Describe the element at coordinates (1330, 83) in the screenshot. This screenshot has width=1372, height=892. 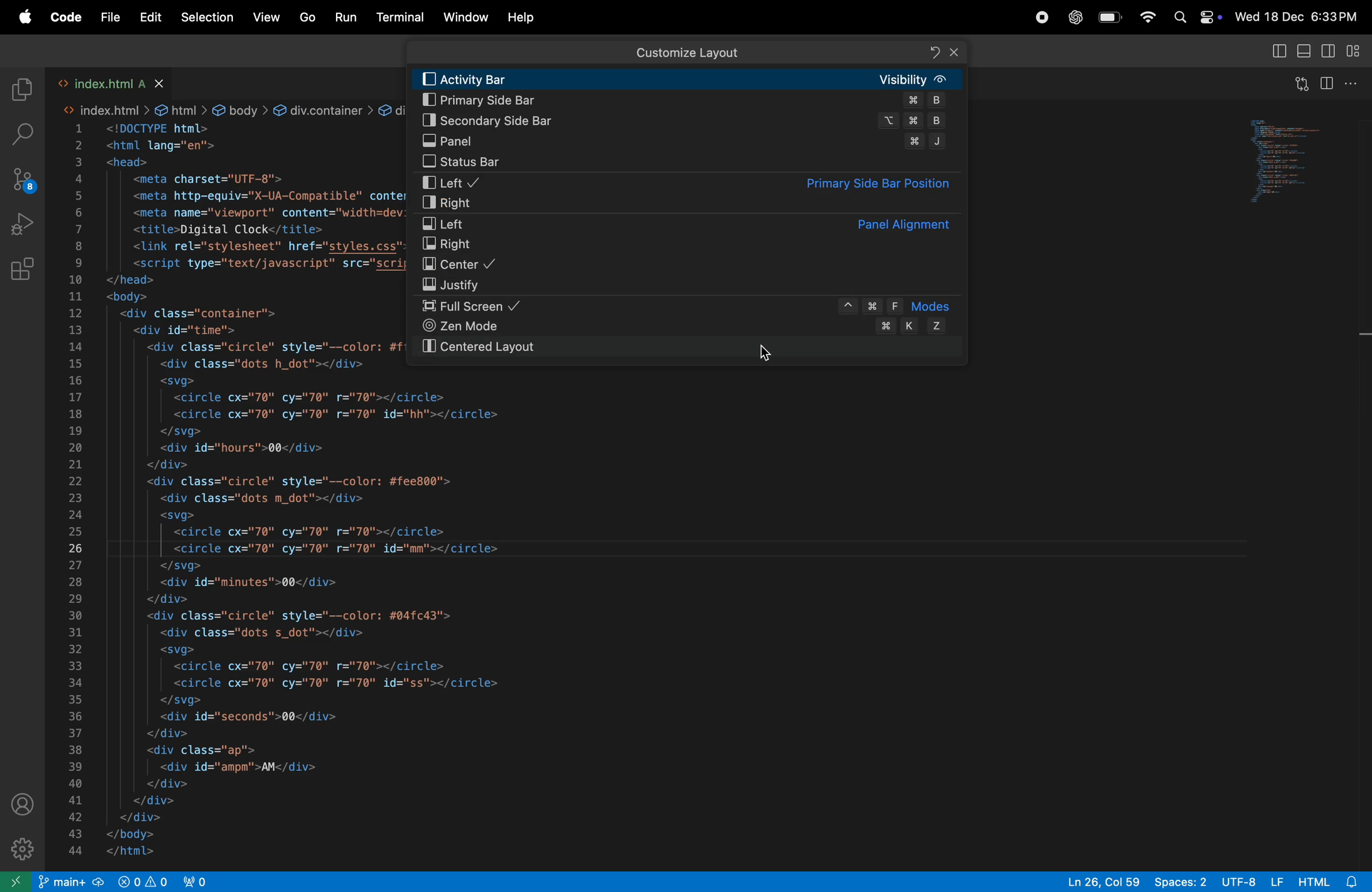
I see `split editor` at that location.